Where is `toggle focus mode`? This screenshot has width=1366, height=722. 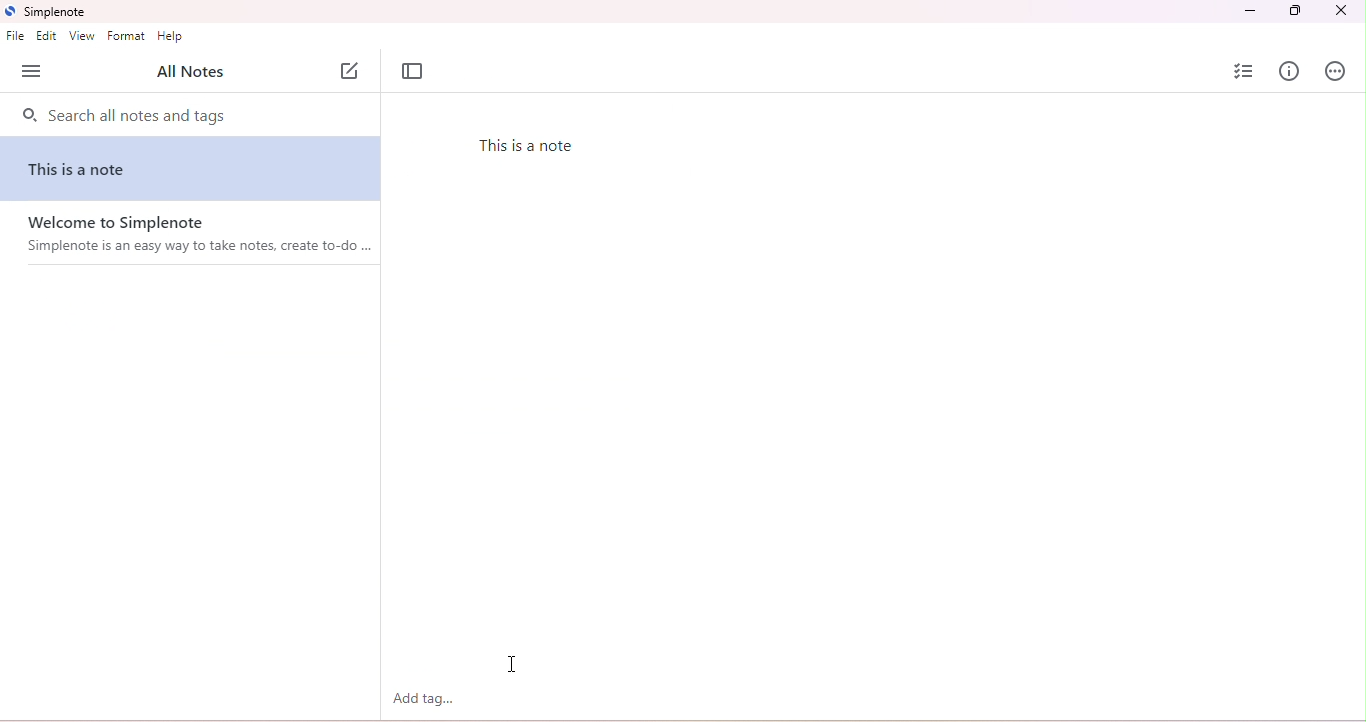
toggle focus mode is located at coordinates (413, 73).